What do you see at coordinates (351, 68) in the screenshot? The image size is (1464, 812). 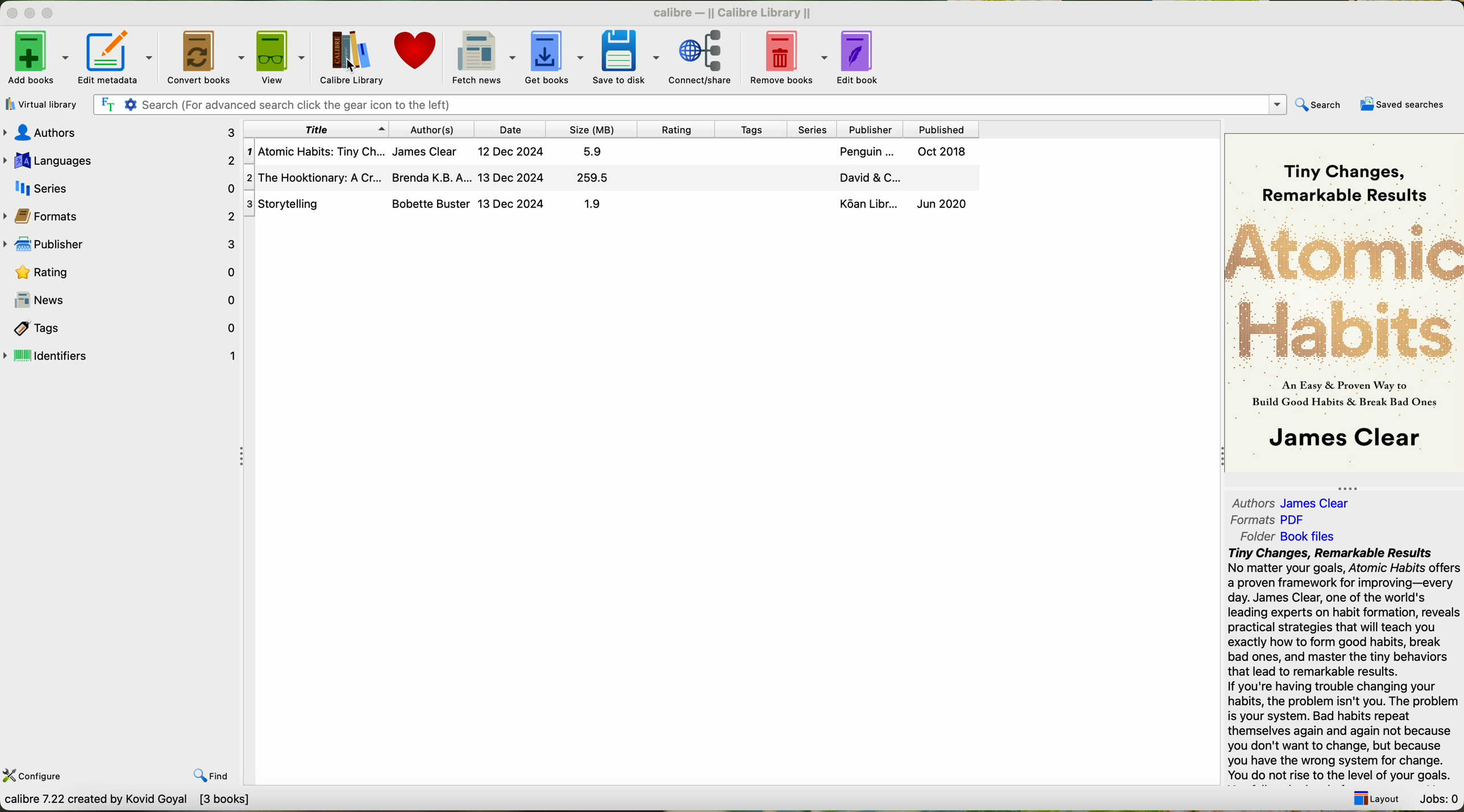 I see `cursor` at bounding box center [351, 68].